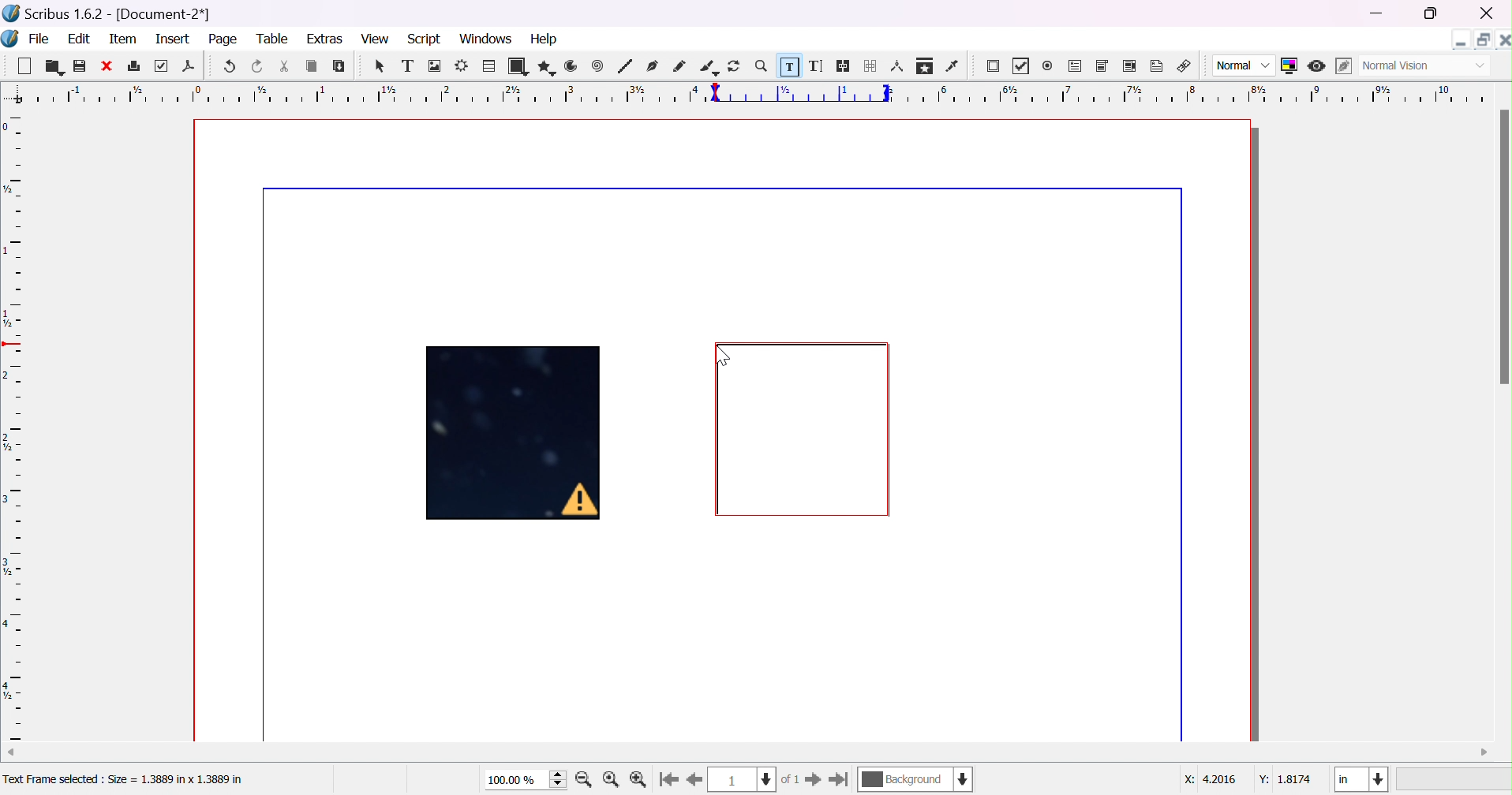 The image size is (1512, 795). What do you see at coordinates (436, 66) in the screenshot?
I see `image frame` at bounding box center [436, 66].